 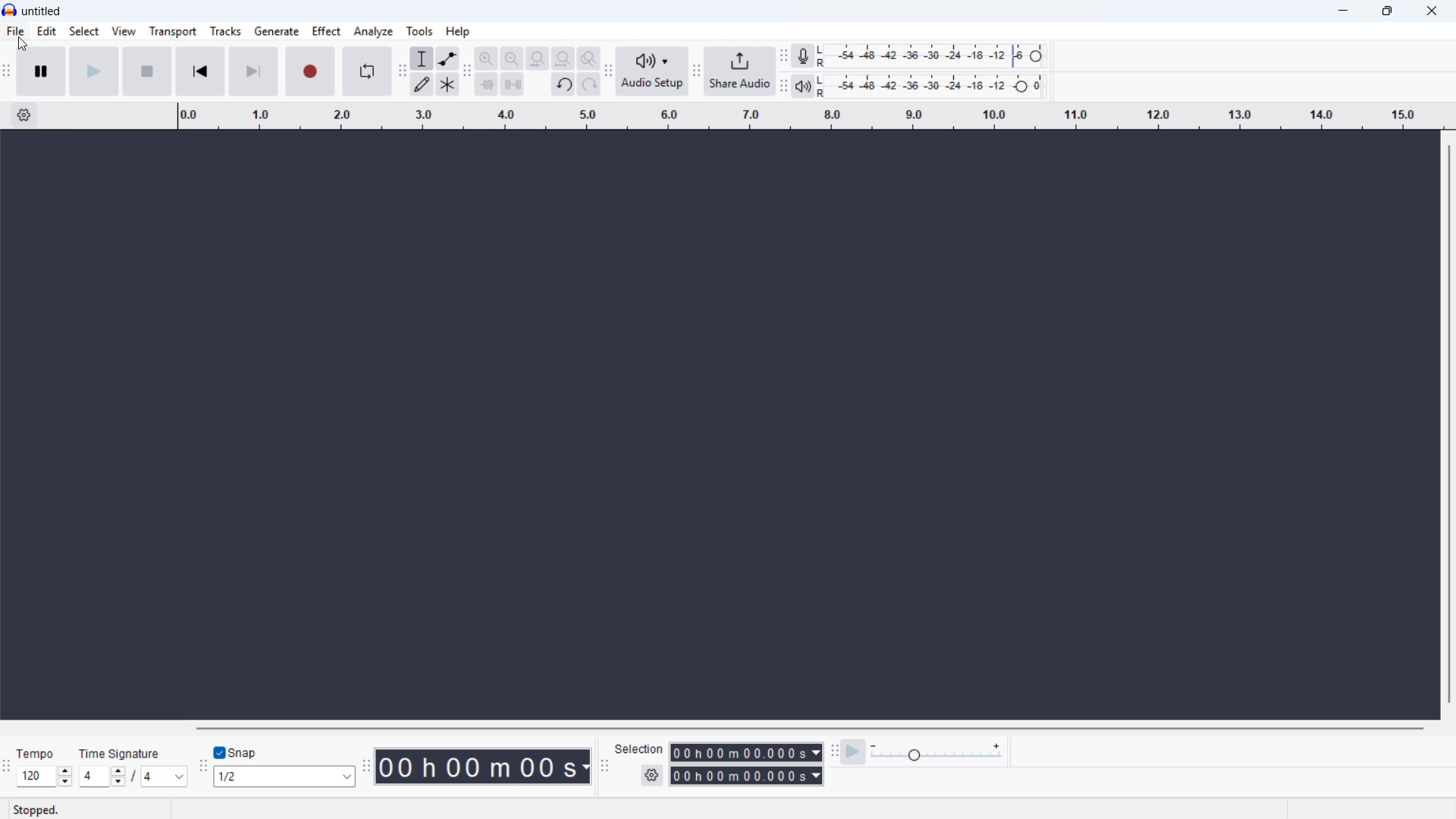 I want to click on Playback level , so click(x=934, y=86).